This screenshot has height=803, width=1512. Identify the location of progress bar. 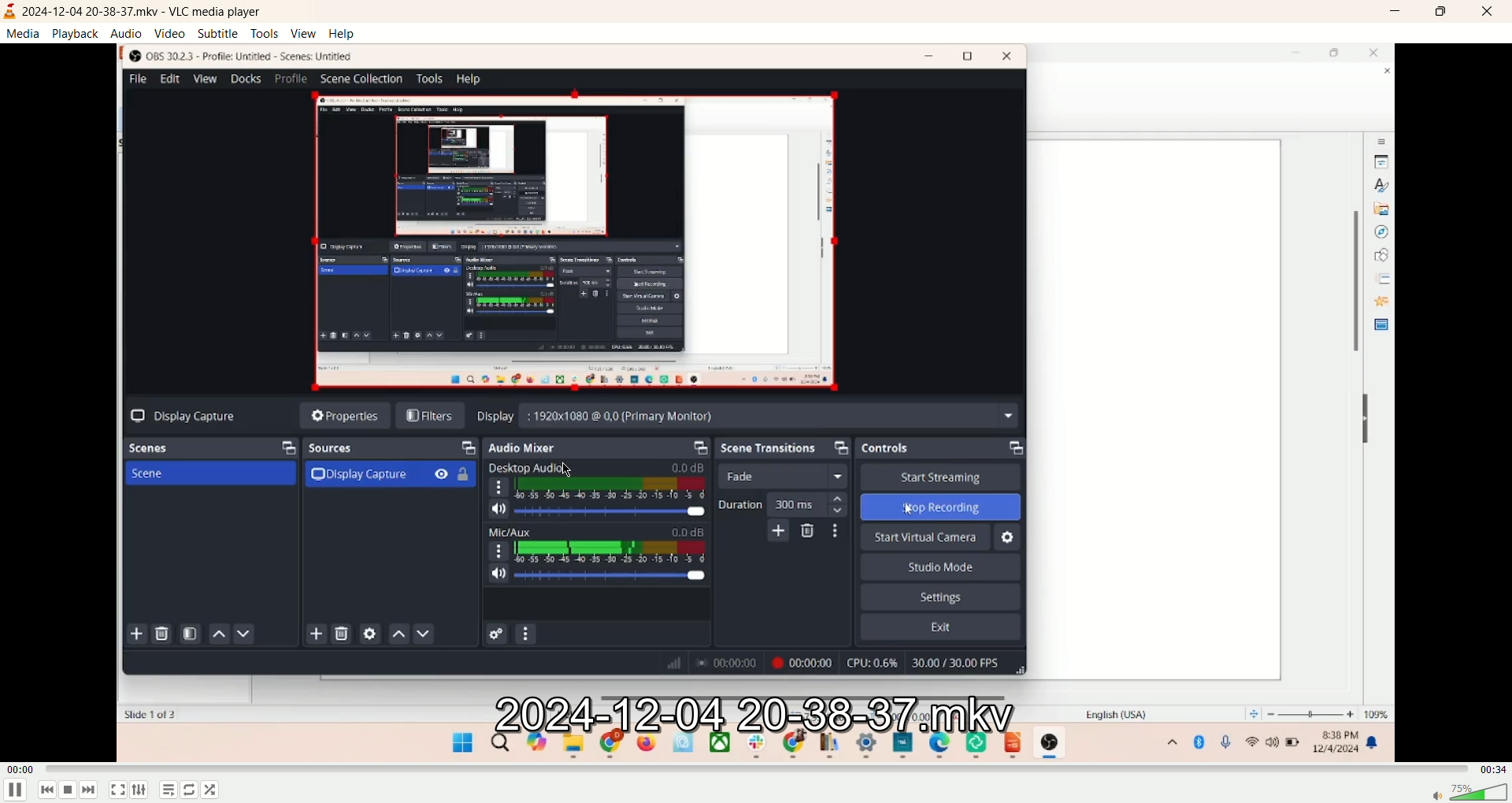
(754, 769).